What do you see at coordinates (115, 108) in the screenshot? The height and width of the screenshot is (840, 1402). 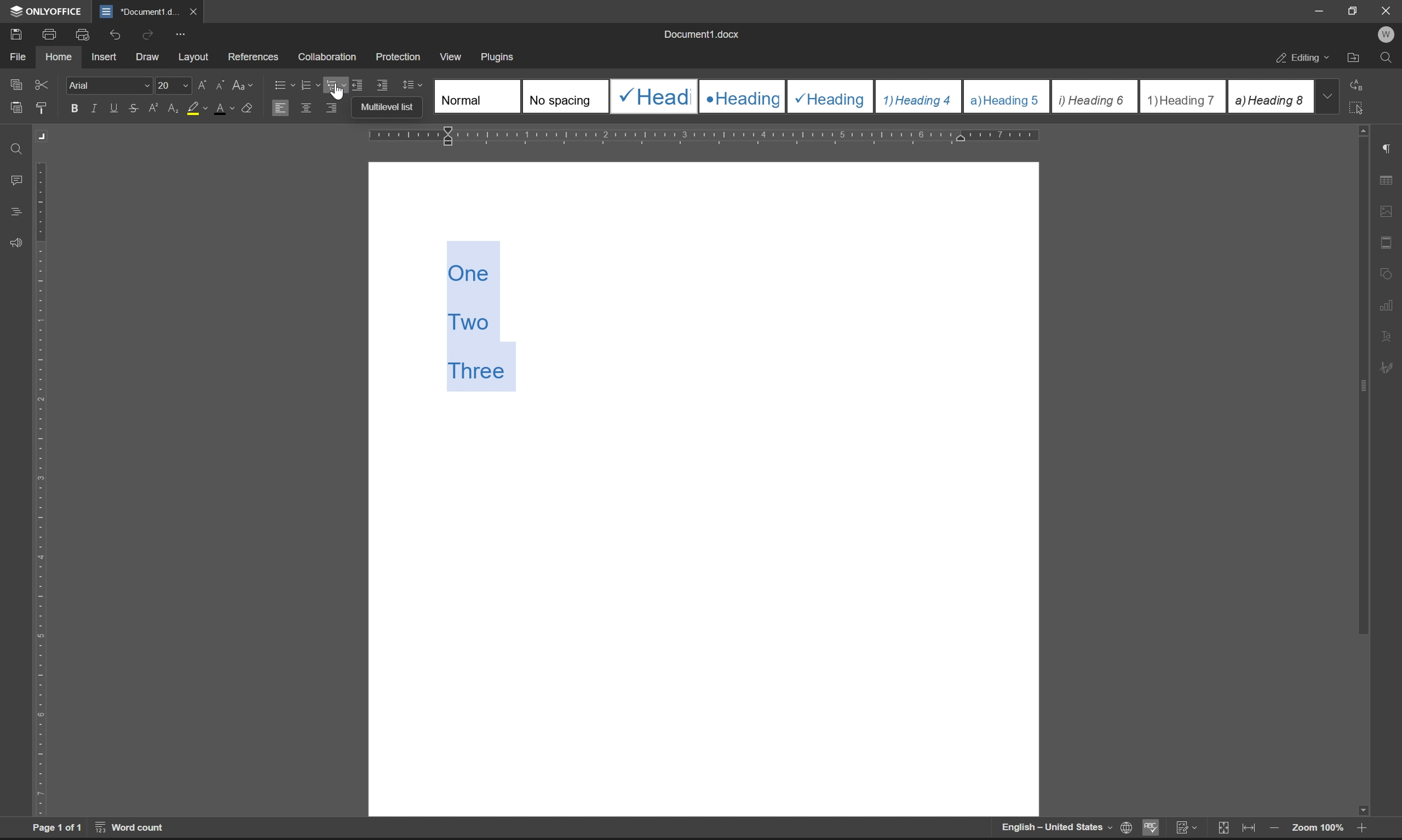 I see `underline` at bounding box center [115, 108].